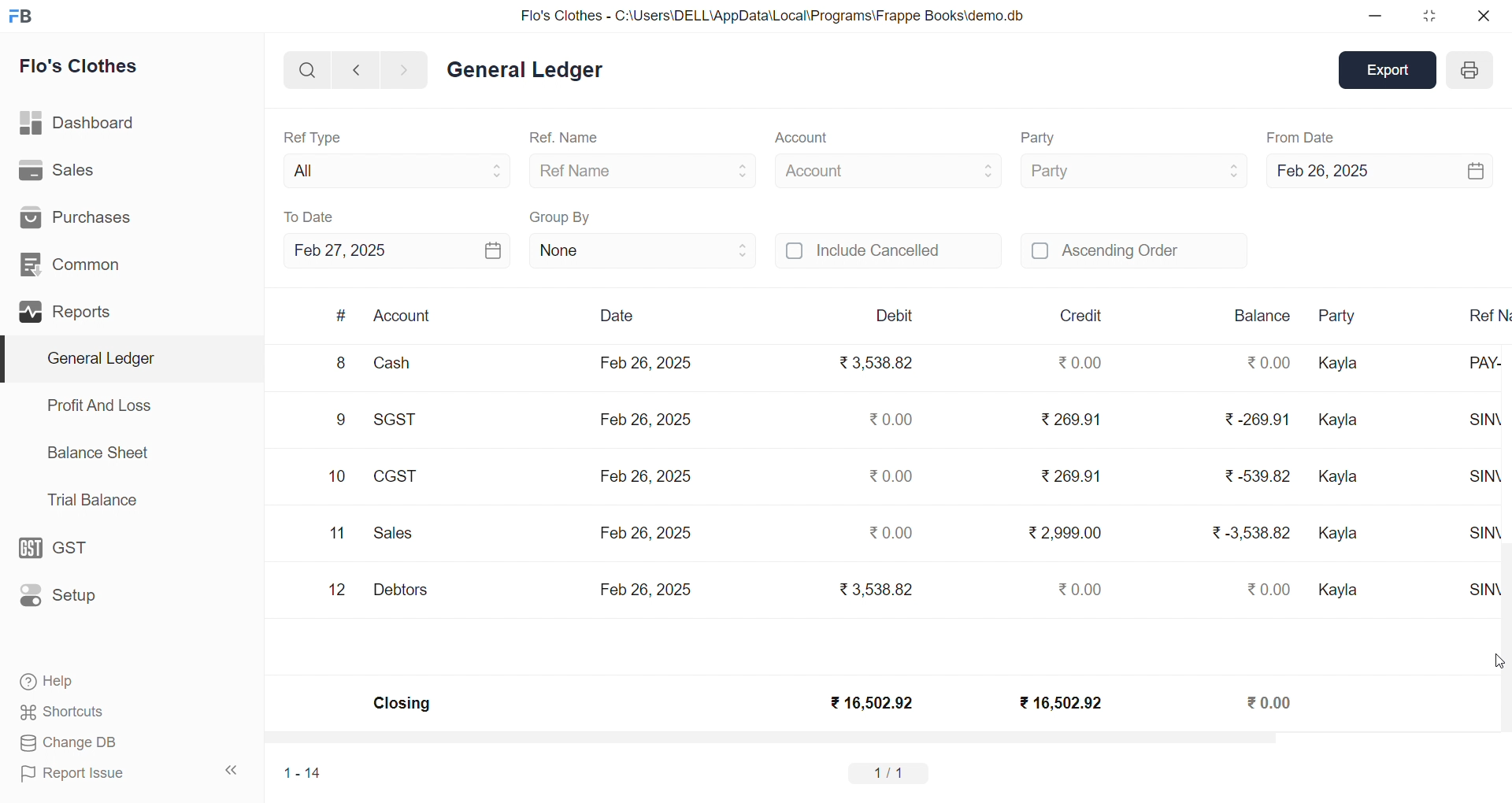  Describe the element at coordinates (1485, 593) in the screenshot. I see `SINV-` at that location.